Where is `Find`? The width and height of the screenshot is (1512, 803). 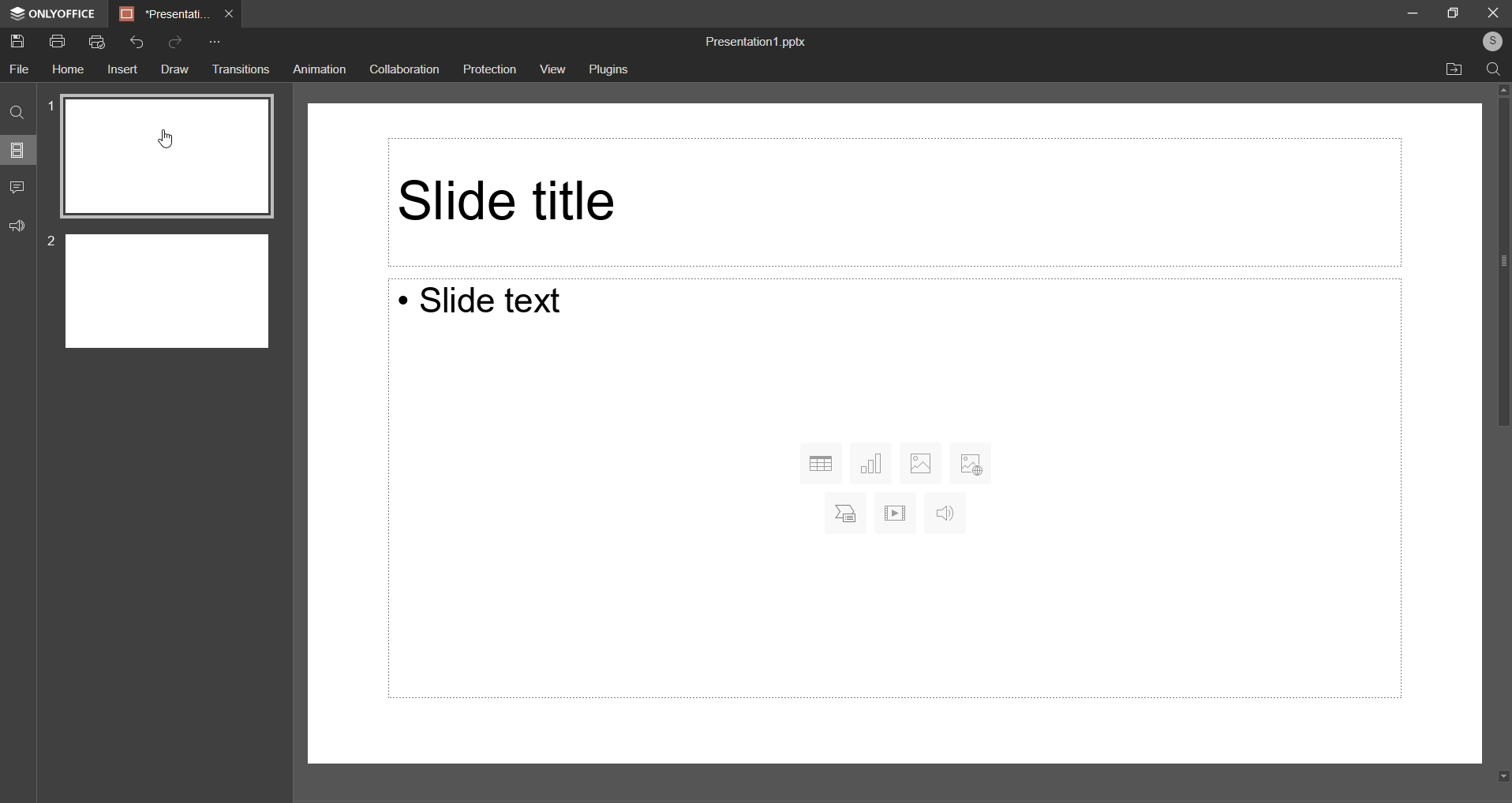 Find is located at coordinates (18, 115).